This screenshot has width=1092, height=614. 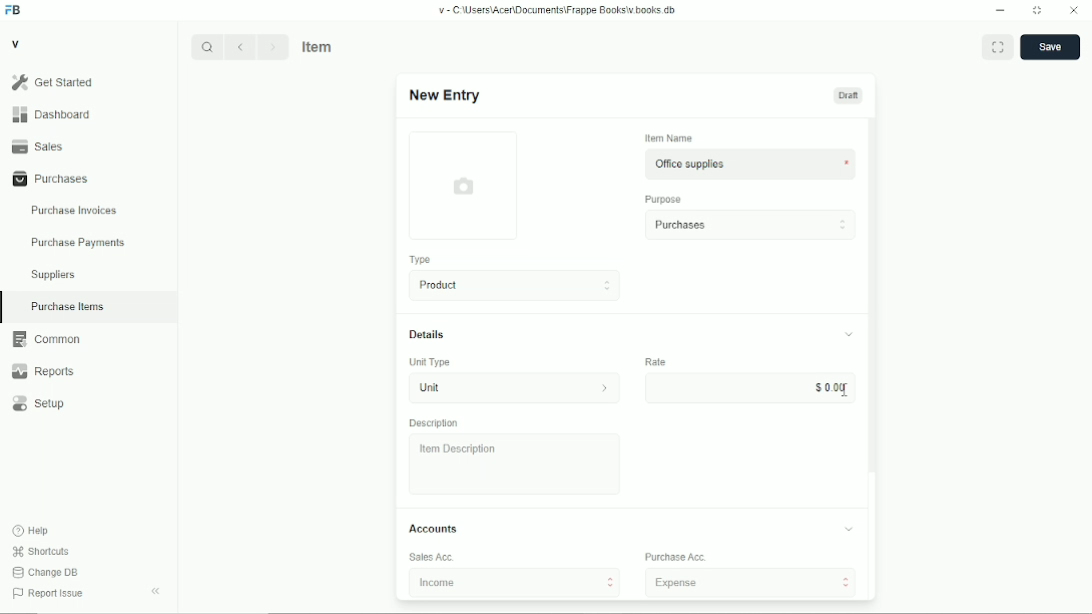 I want to click on Toggle between form and full width, so click(x=1038, y=11).